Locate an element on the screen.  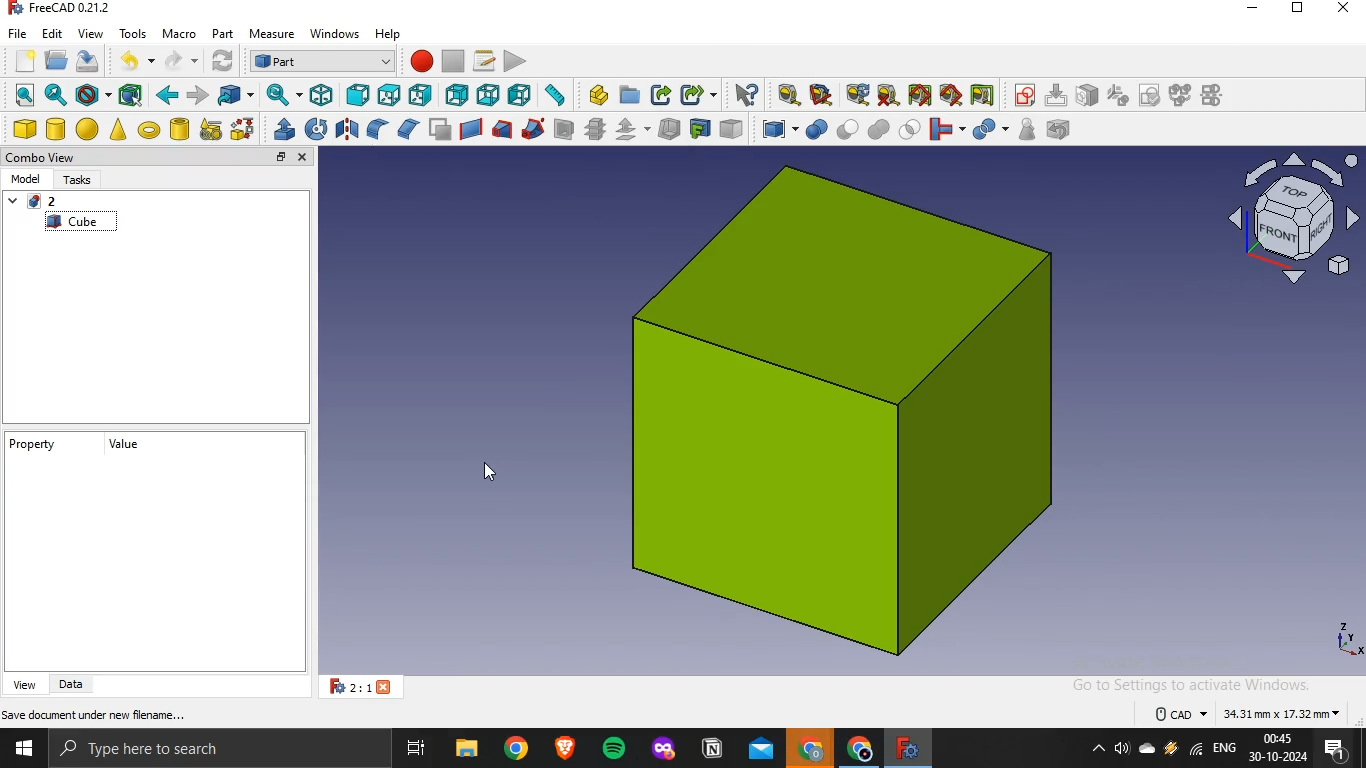
make link is located at coordinates (658, 94).